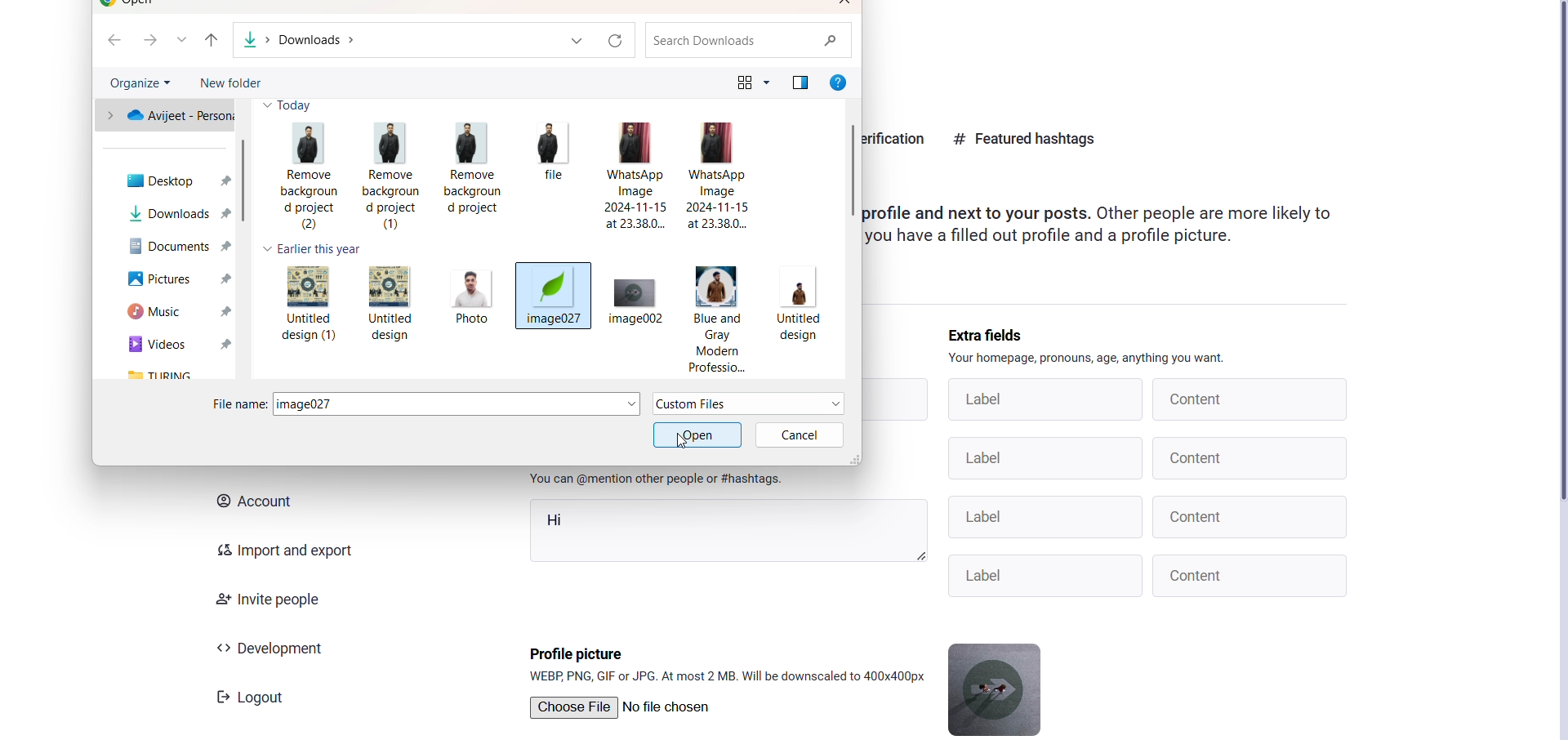  I want to click on development, so click(273, 647).